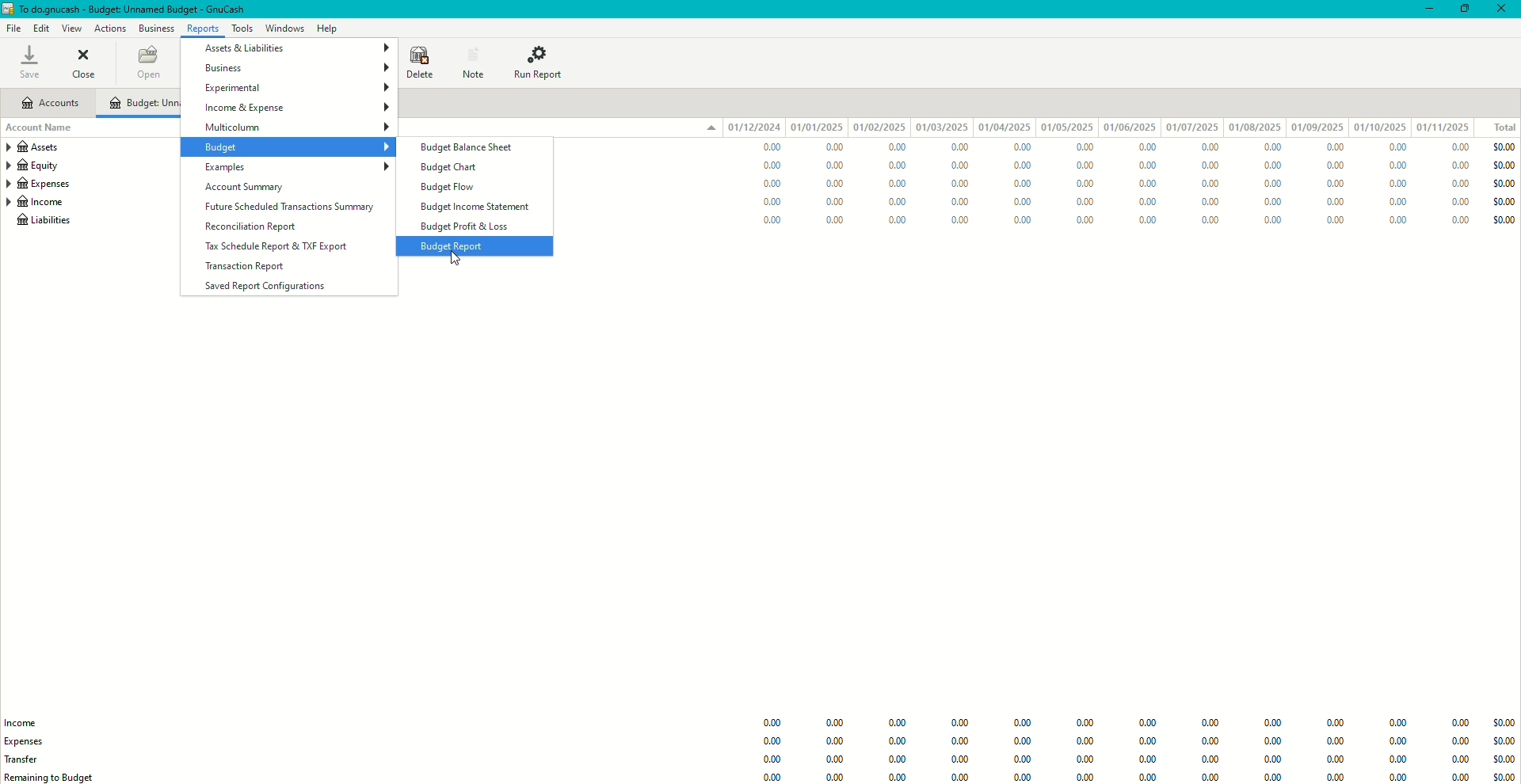 The image size is (1521, 784). What do you see at coordinates (1458, 763) in the screenshot?
I see `0.00` at bounding box center [1458, 763].